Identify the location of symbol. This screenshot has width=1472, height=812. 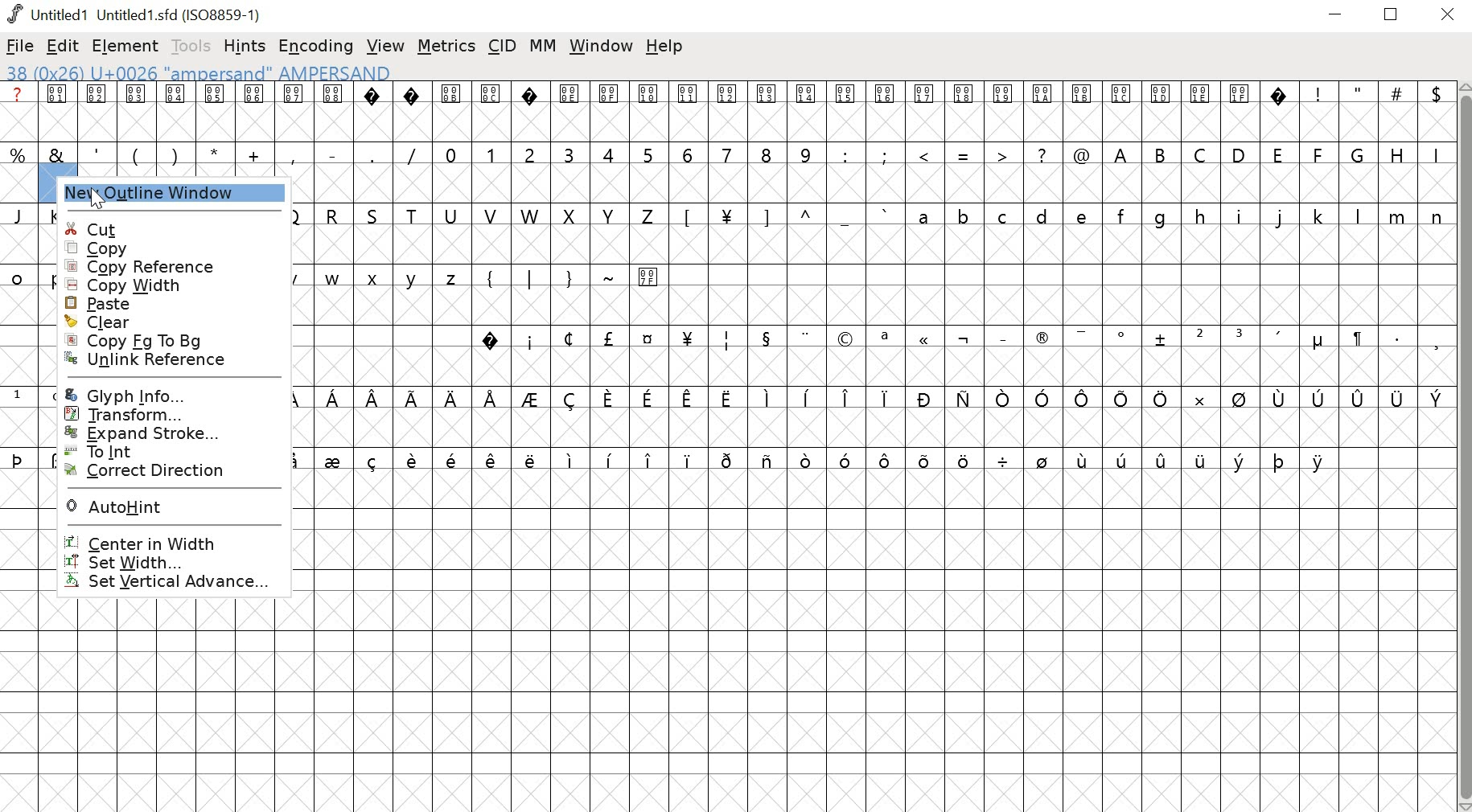
(1004, 399).